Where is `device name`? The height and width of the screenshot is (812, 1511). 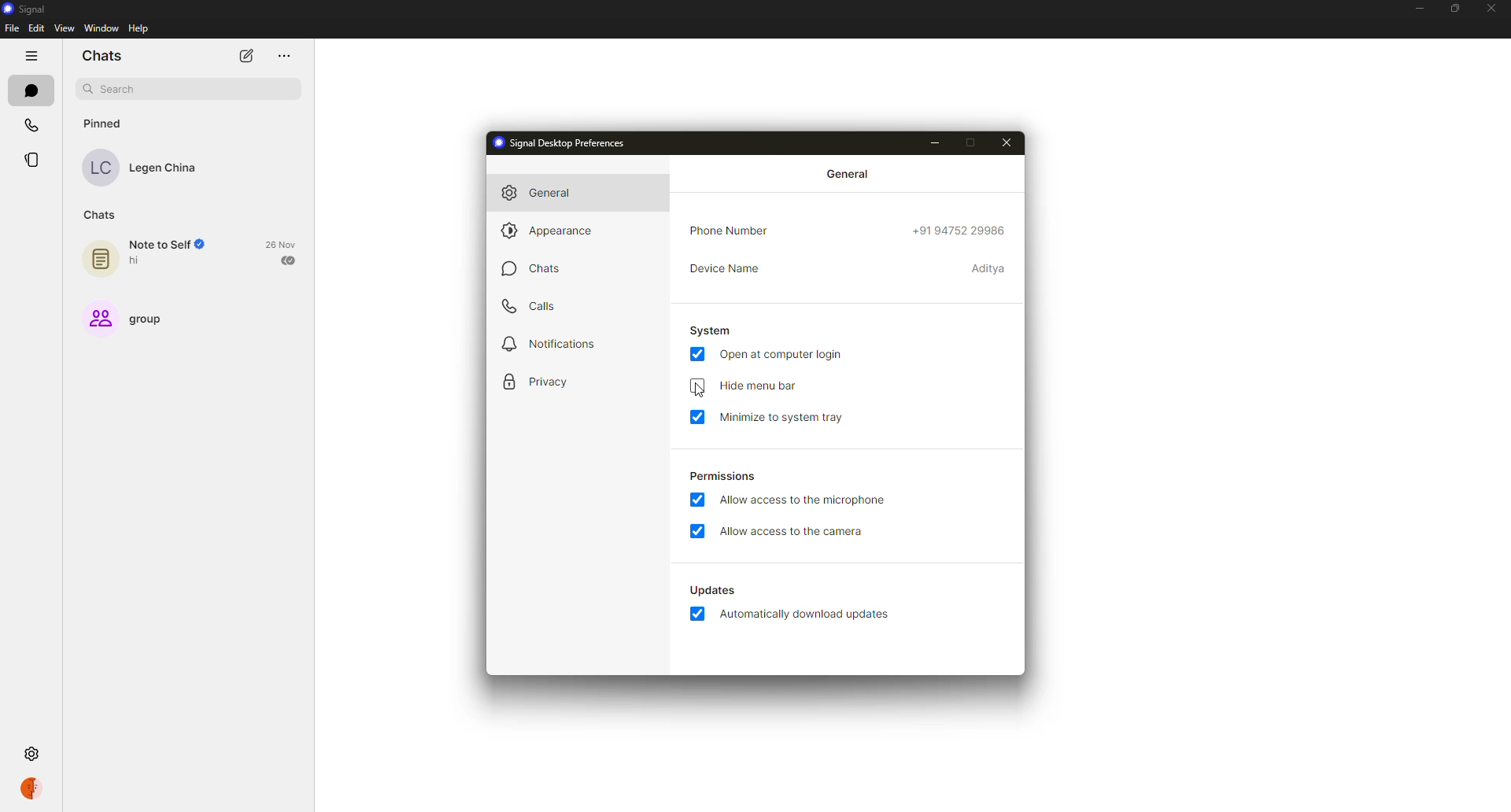
device name is located at coordinates (988, 268).